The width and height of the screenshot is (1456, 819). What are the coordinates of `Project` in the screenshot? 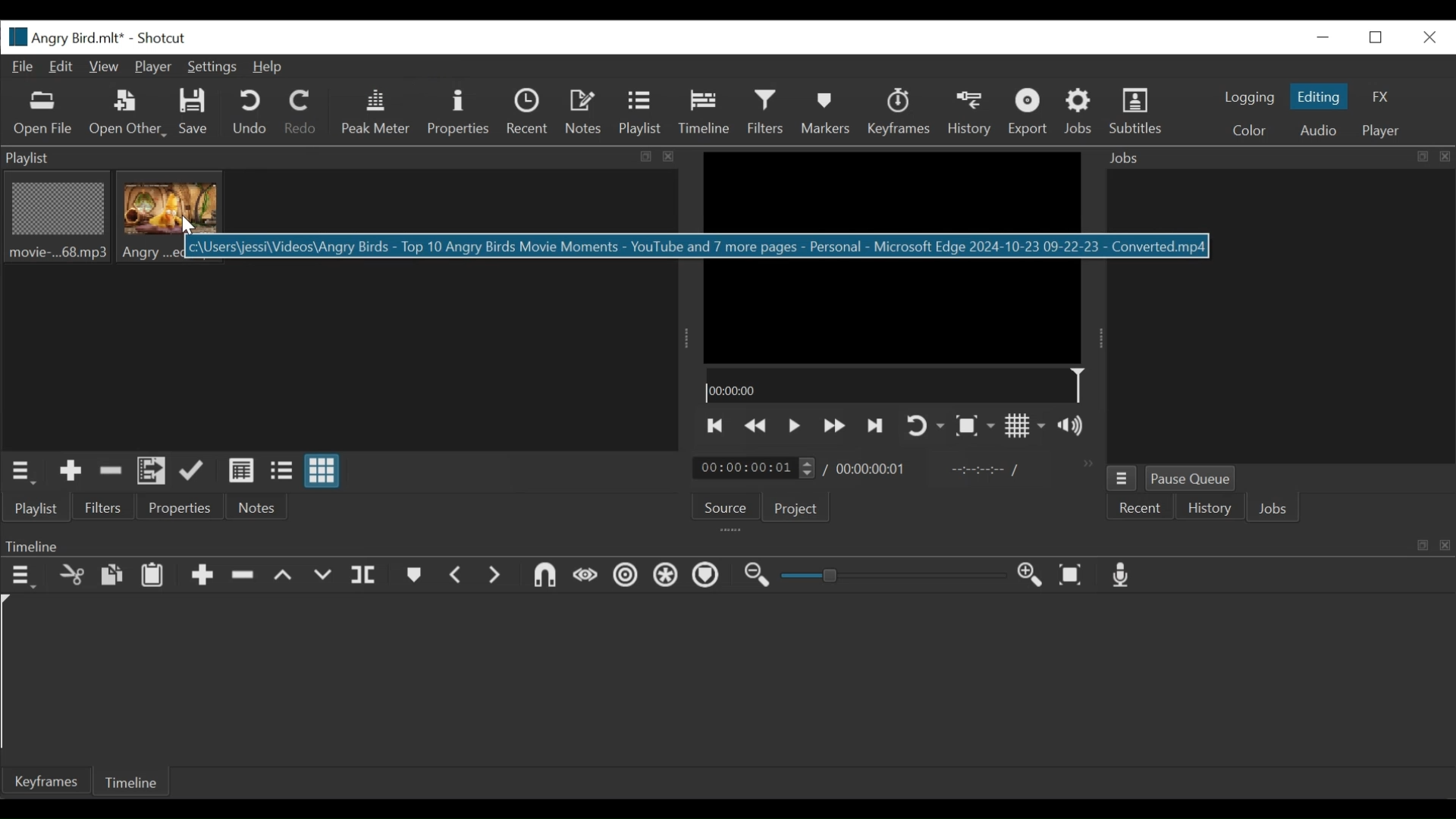 It's located at (797, 509).